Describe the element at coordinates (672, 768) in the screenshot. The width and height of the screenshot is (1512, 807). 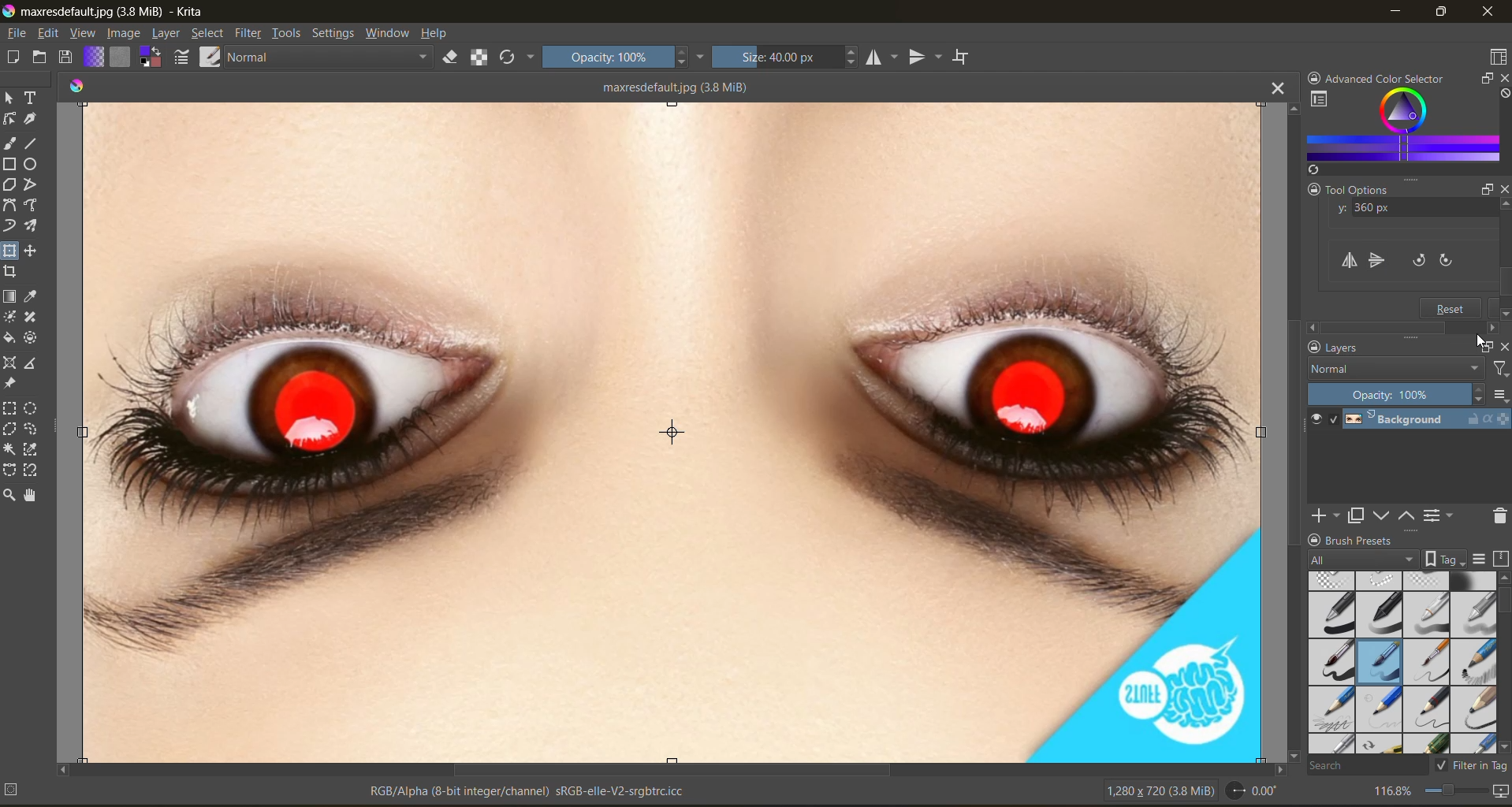
I see `horizontal scroll bar` at that location.